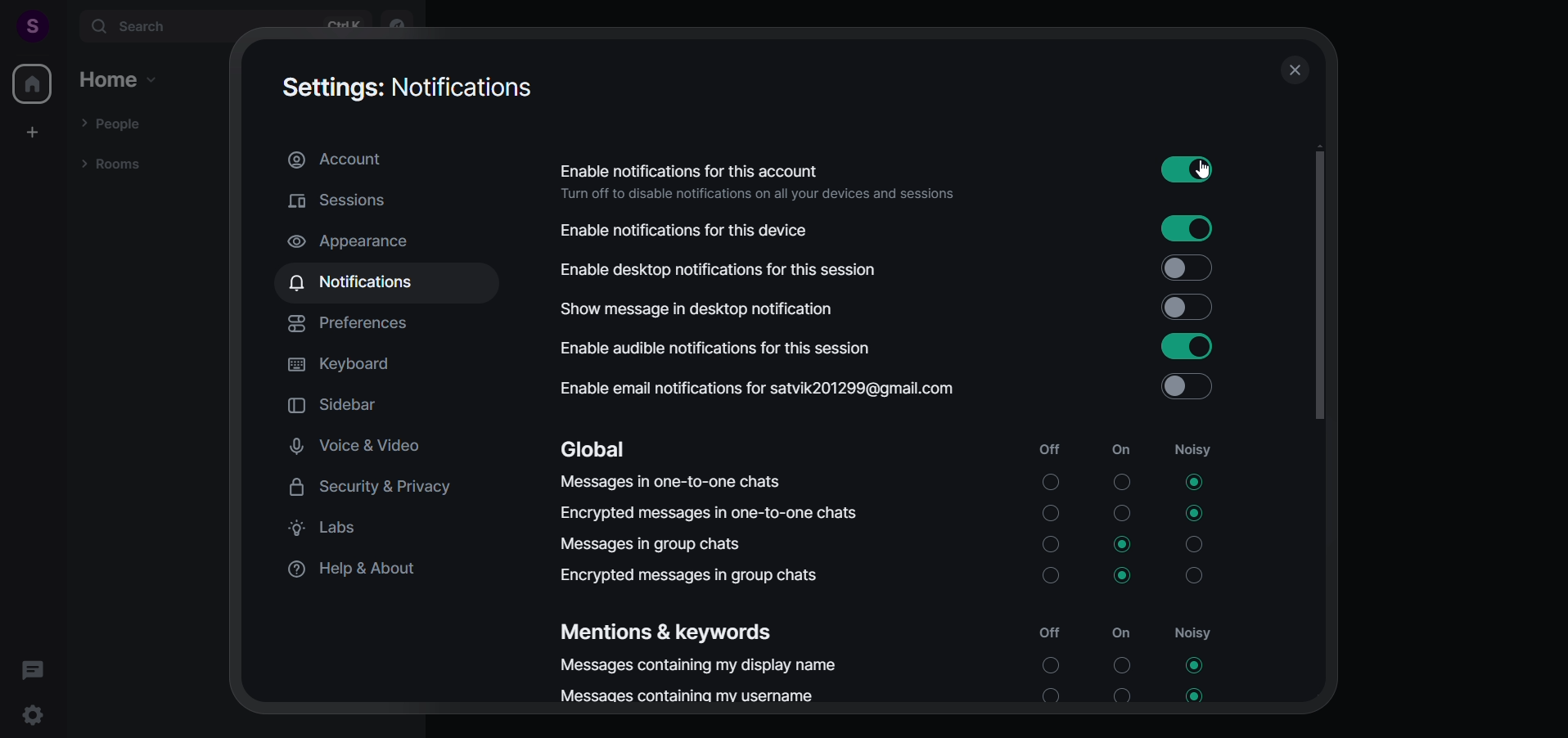 Image resolution: width=1568 pixels, height=738 pixels. What do you see at coordinates (411, 89) in the screenshot?
I see `setting notification` at bounding box center [411, 89].